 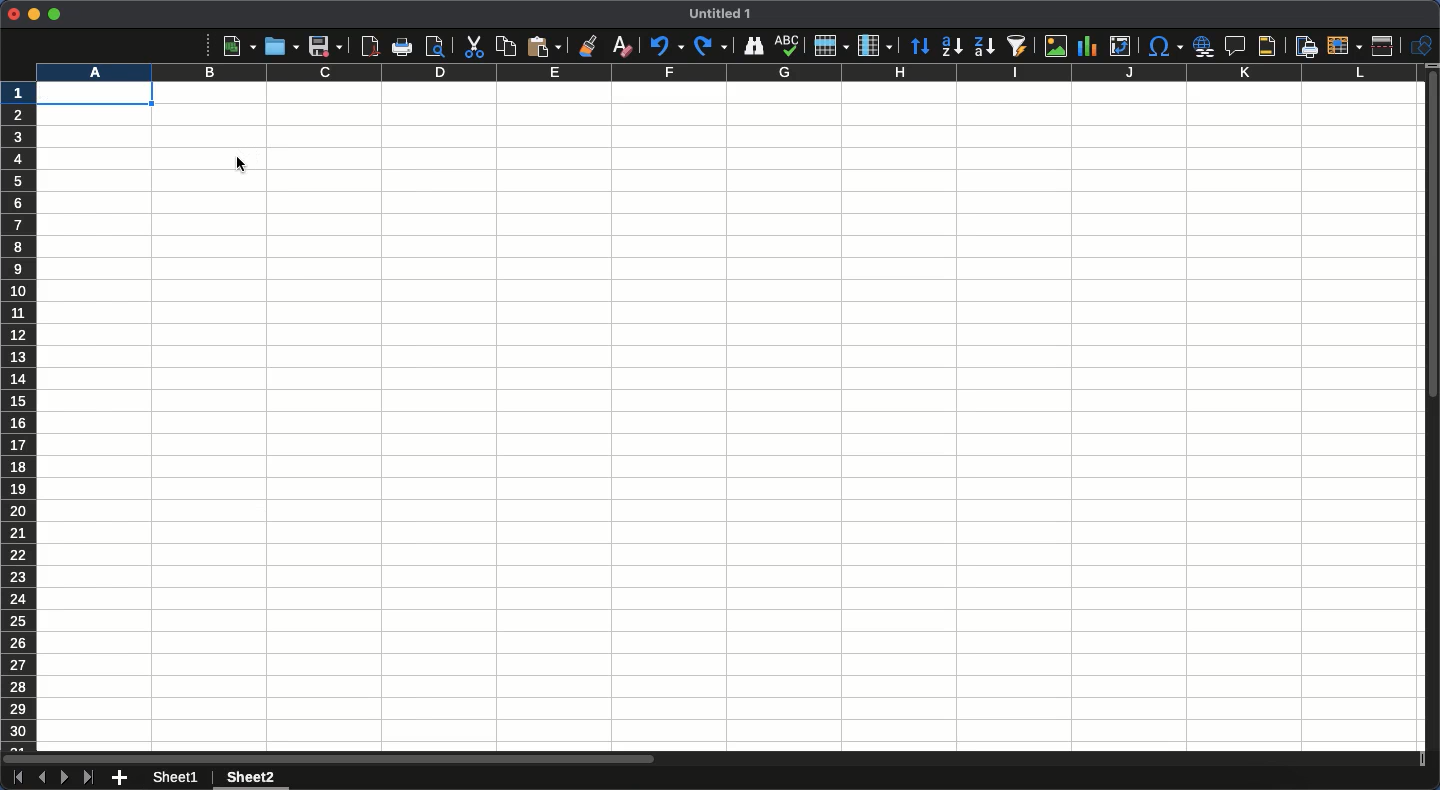 I want to click on Print preview, so click(x=435, y=46).